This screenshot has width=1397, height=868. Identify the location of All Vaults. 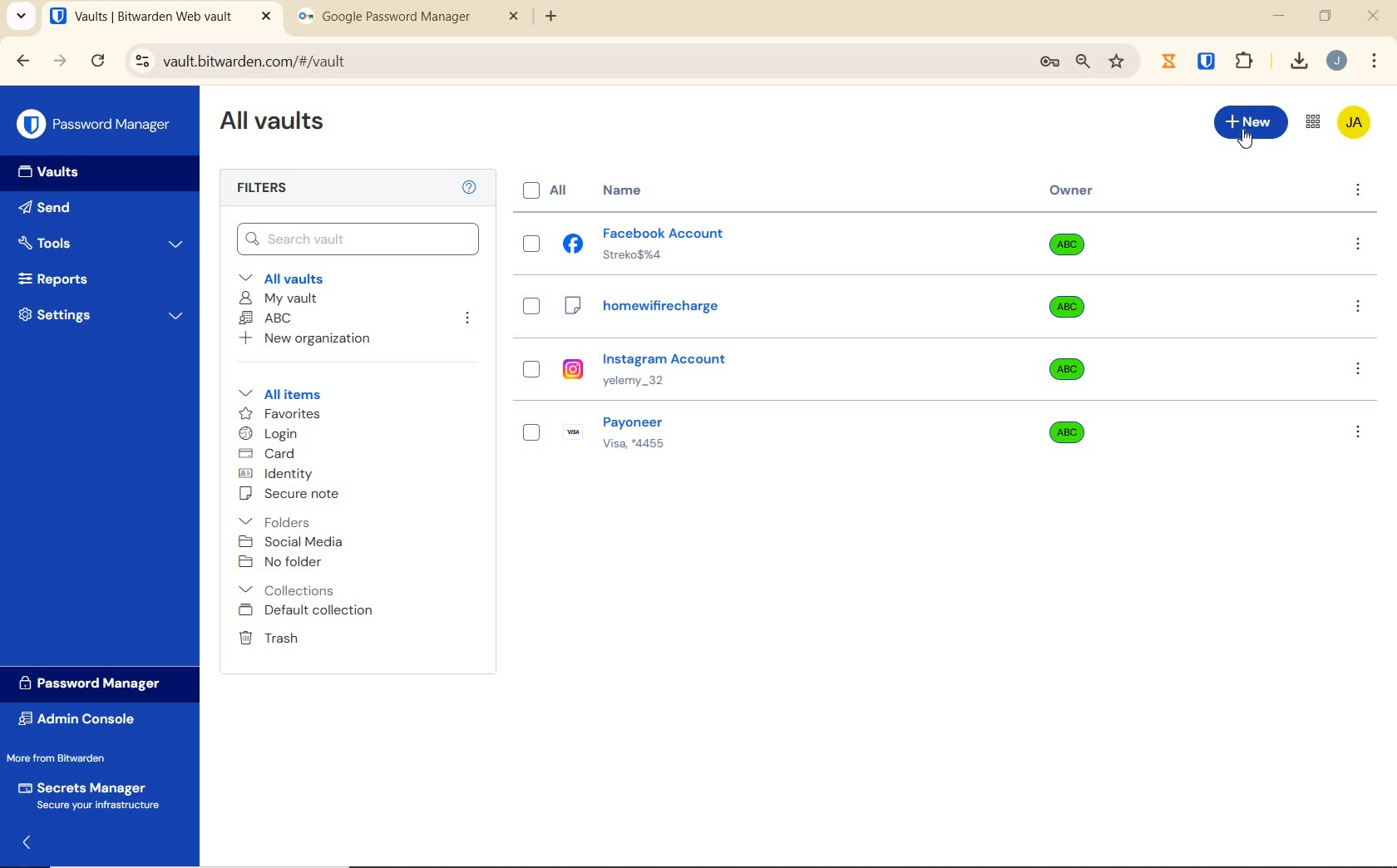
(276, 123).